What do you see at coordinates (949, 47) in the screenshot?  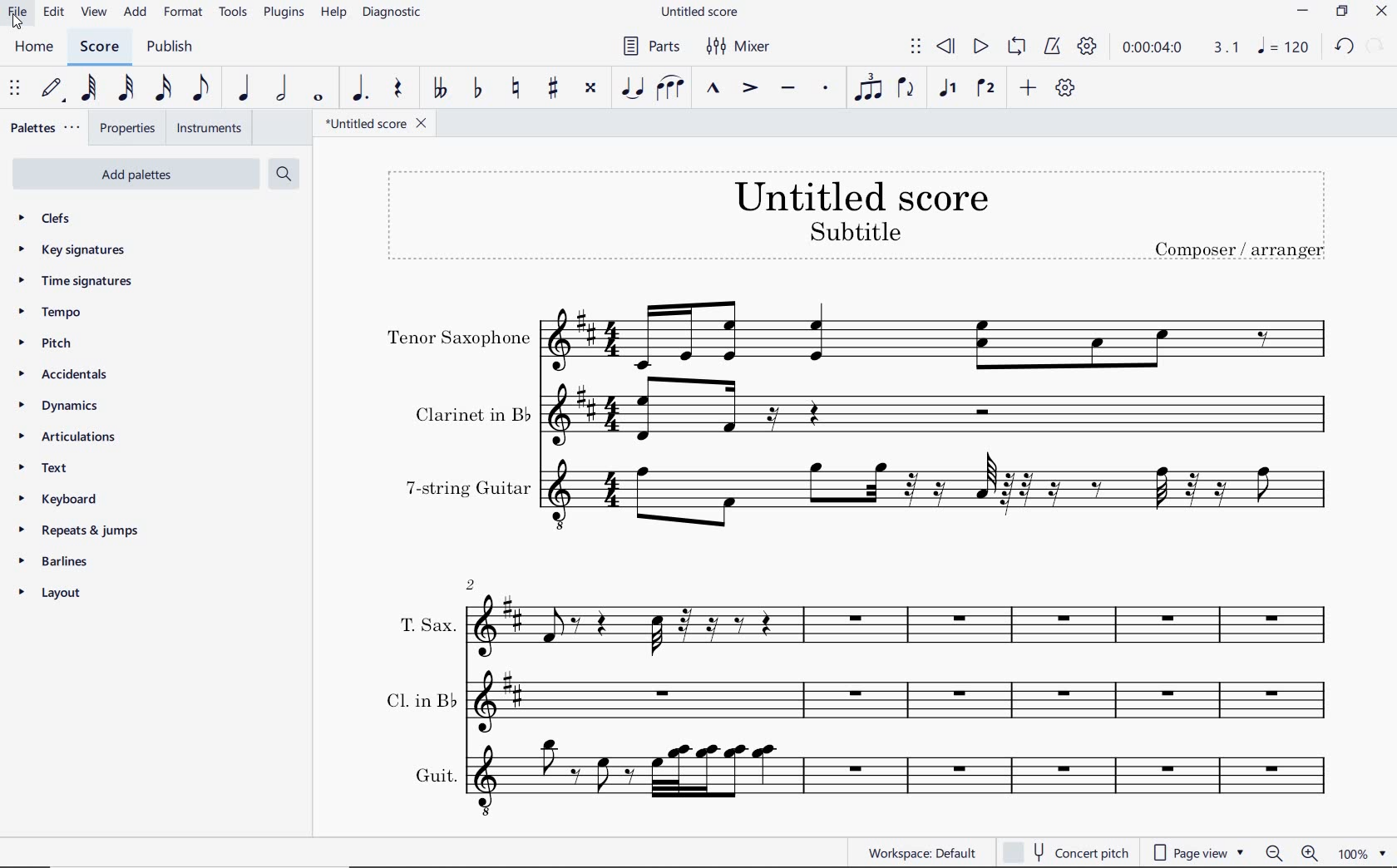 I see `REWIND` at bounding box center [949, 47].